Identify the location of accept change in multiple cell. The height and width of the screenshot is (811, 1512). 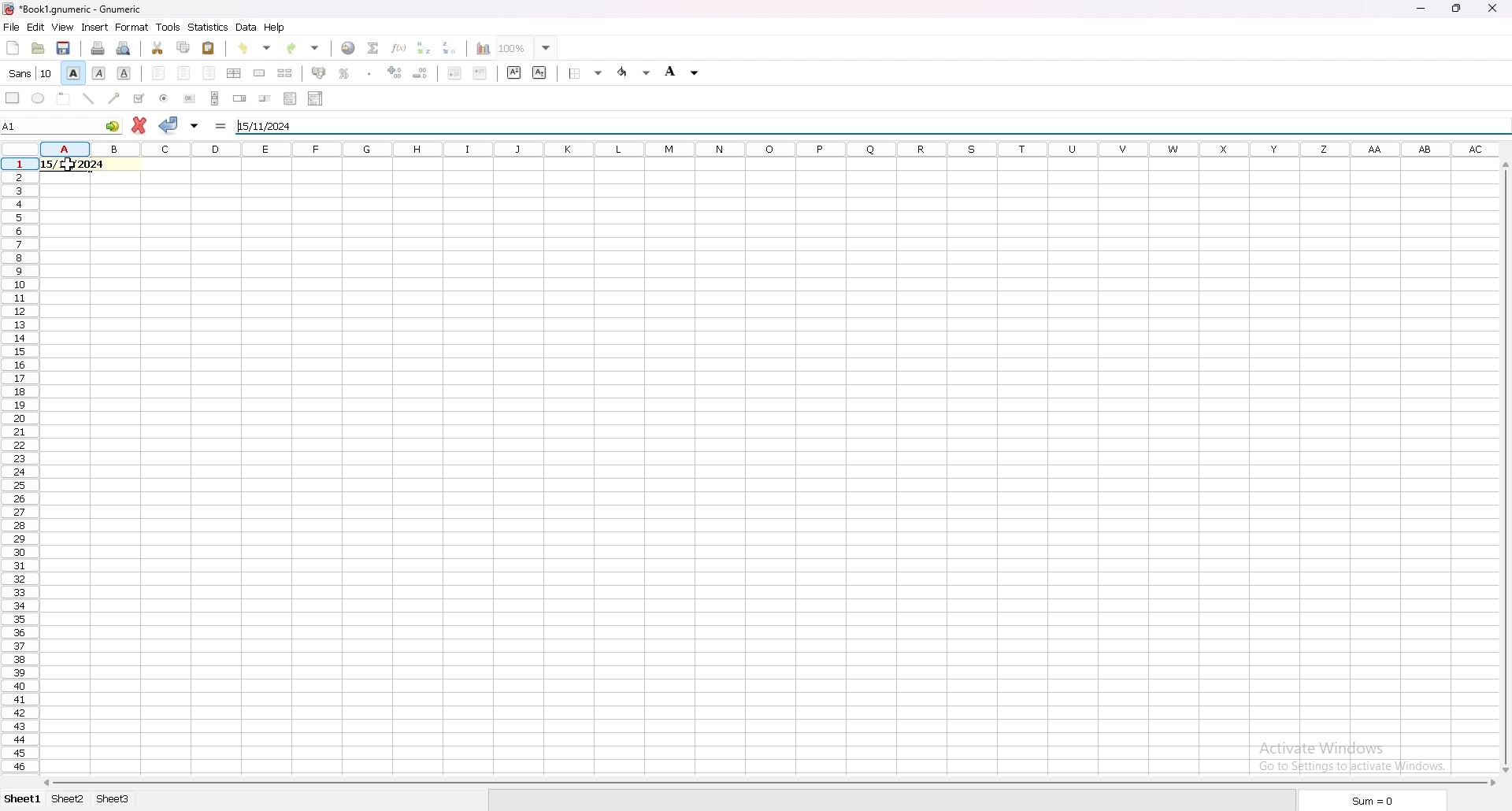
(195, 126).